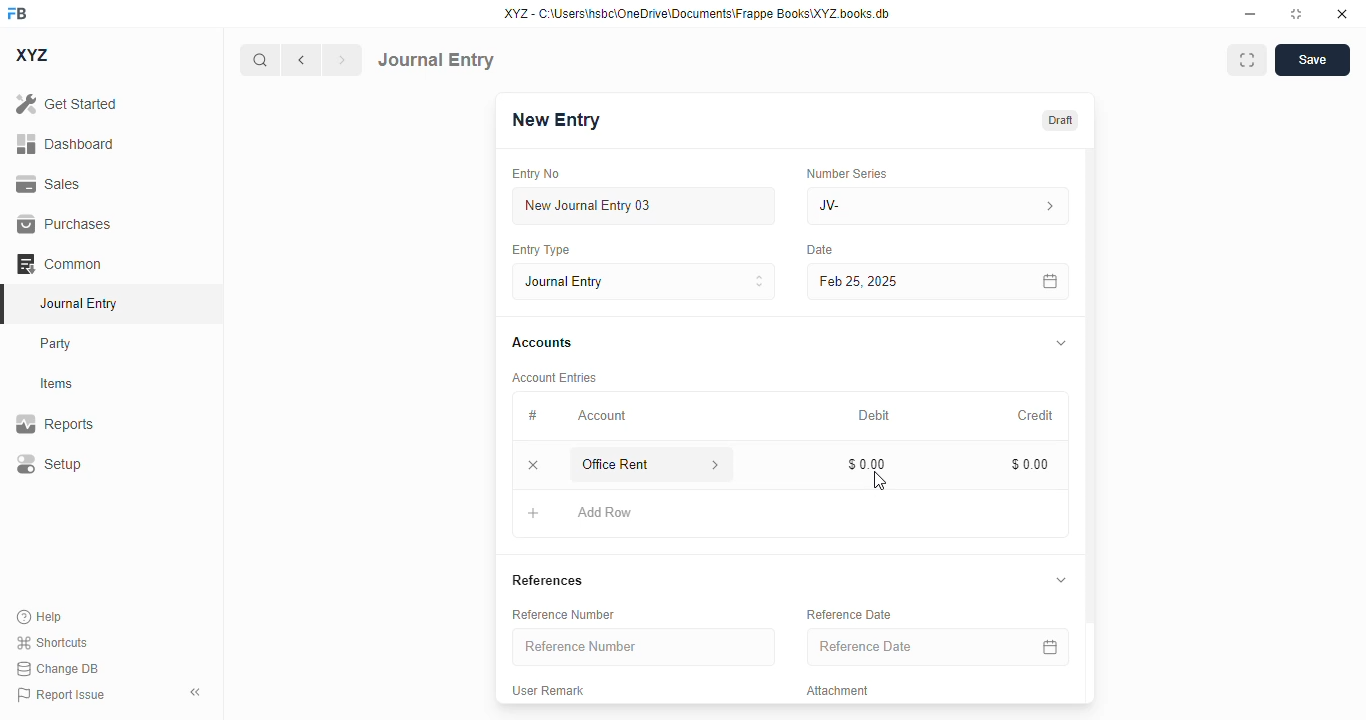 The height and width of the screenshot is (720, 1366). Describe the element at coordinates (554, 377) in the screenshot. I see `account entries` at that location.